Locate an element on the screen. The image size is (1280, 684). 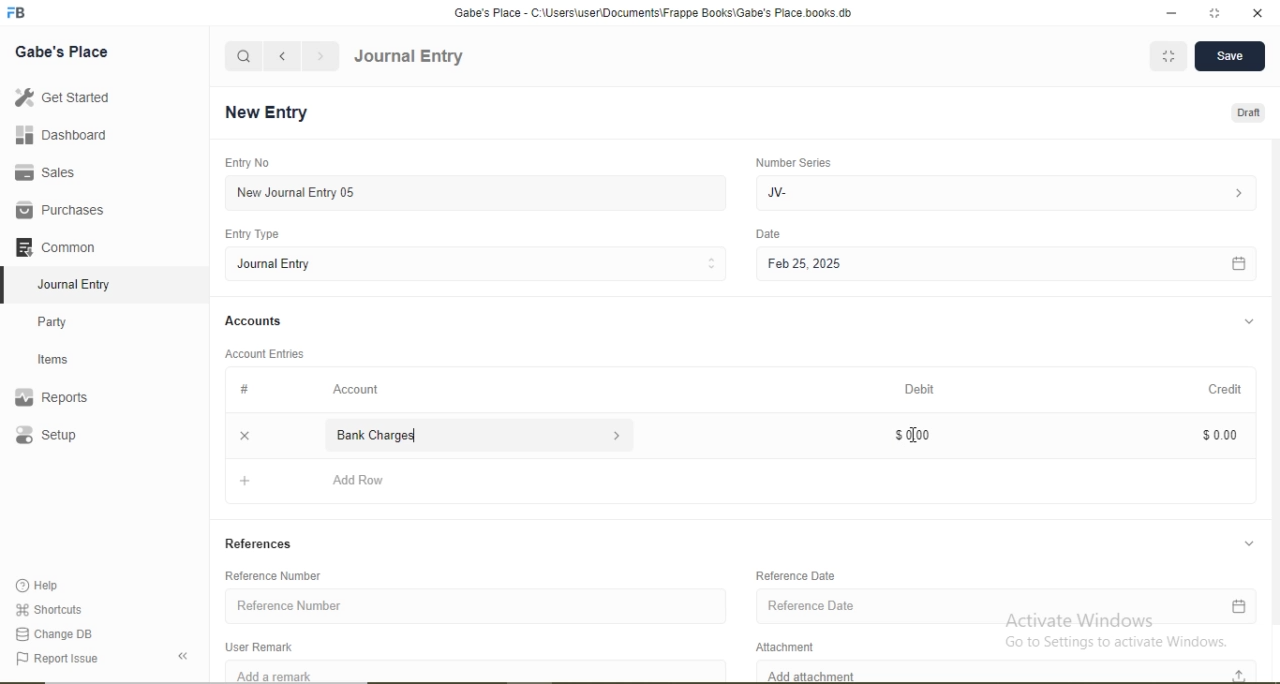
Entry Type is located at coordinates (254, 234).